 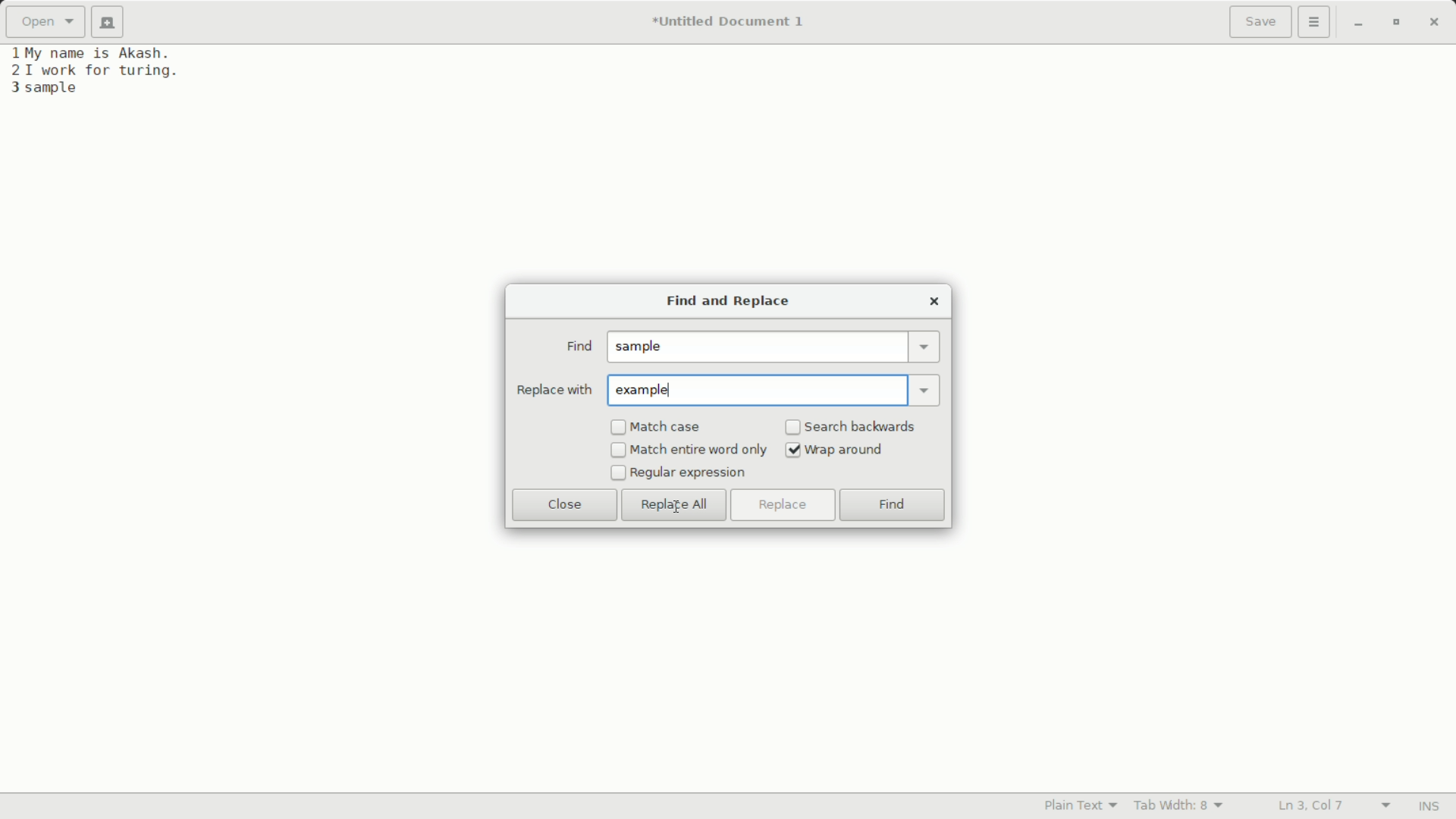 I want to click on find, so click(x=578, y=347).